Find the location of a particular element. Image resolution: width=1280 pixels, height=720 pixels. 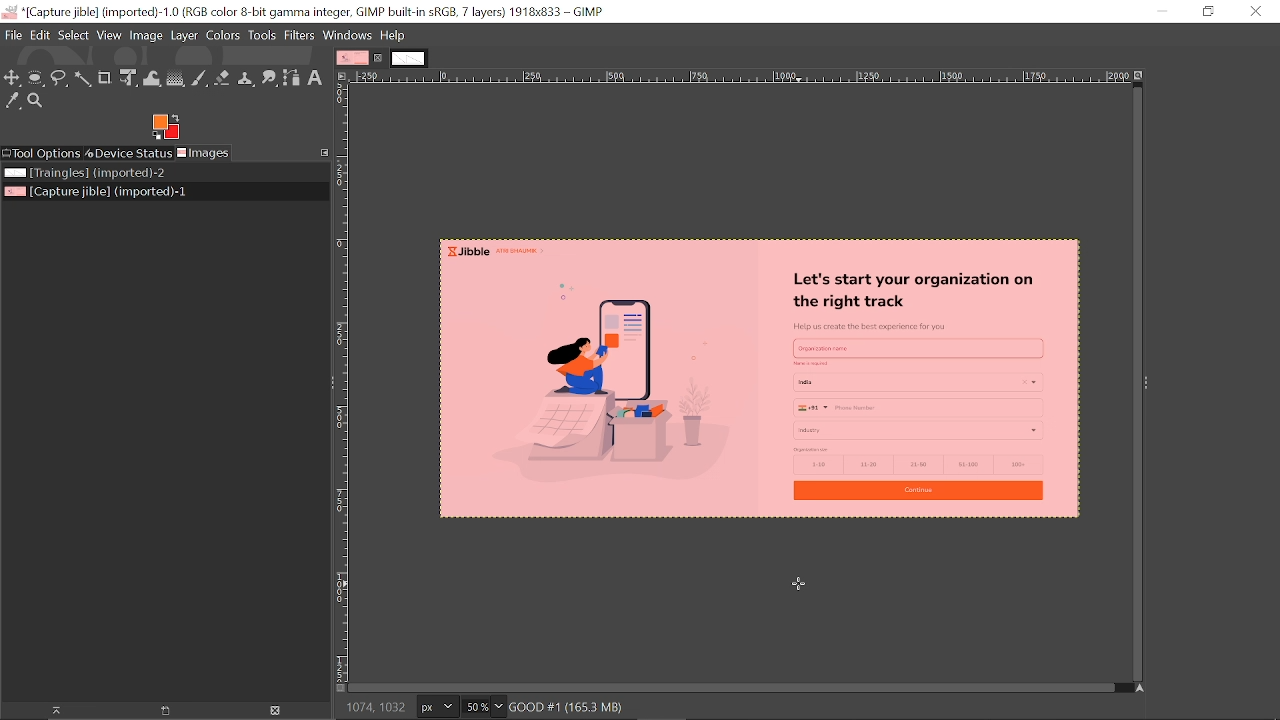

Current image file is located at coordinates (94, 192).